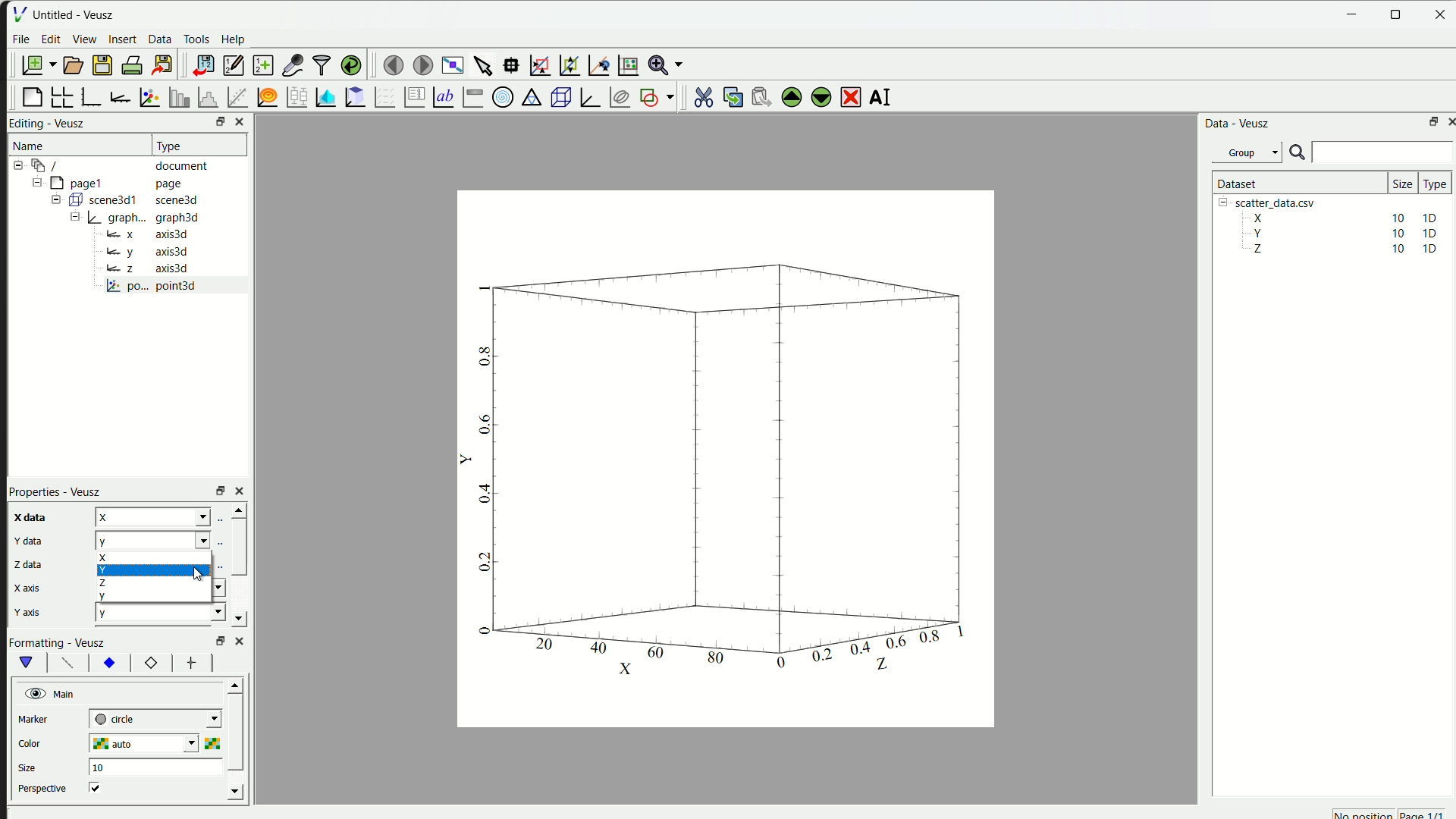 This screenshot has width=1456, height=819. Describe the element at coordinates (155, 234) in the screenshot. I see `= x axis3d` at that location.